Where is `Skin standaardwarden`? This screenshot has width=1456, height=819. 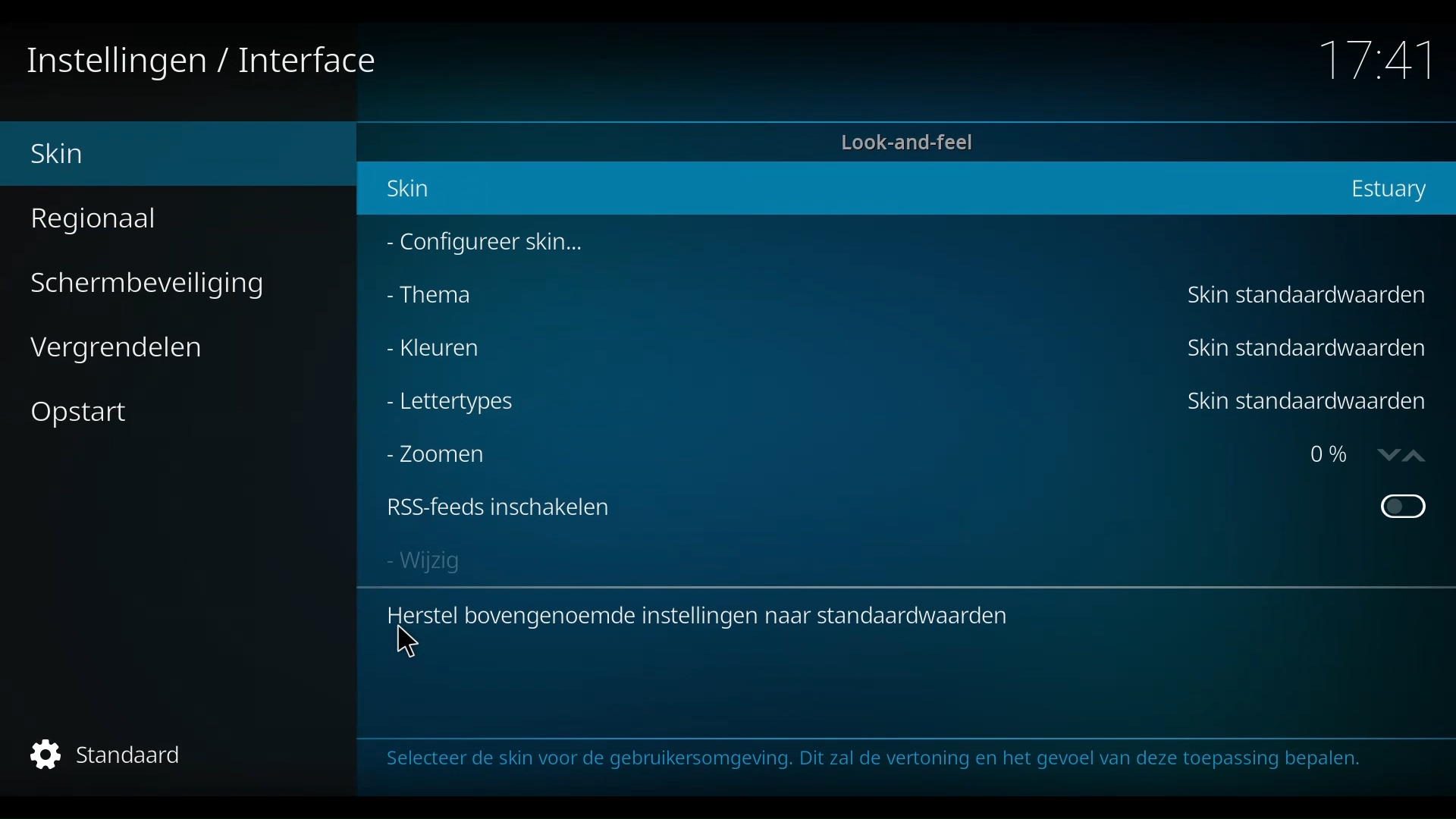 Skin standaardwarden is located at coordinates (1305, 402).